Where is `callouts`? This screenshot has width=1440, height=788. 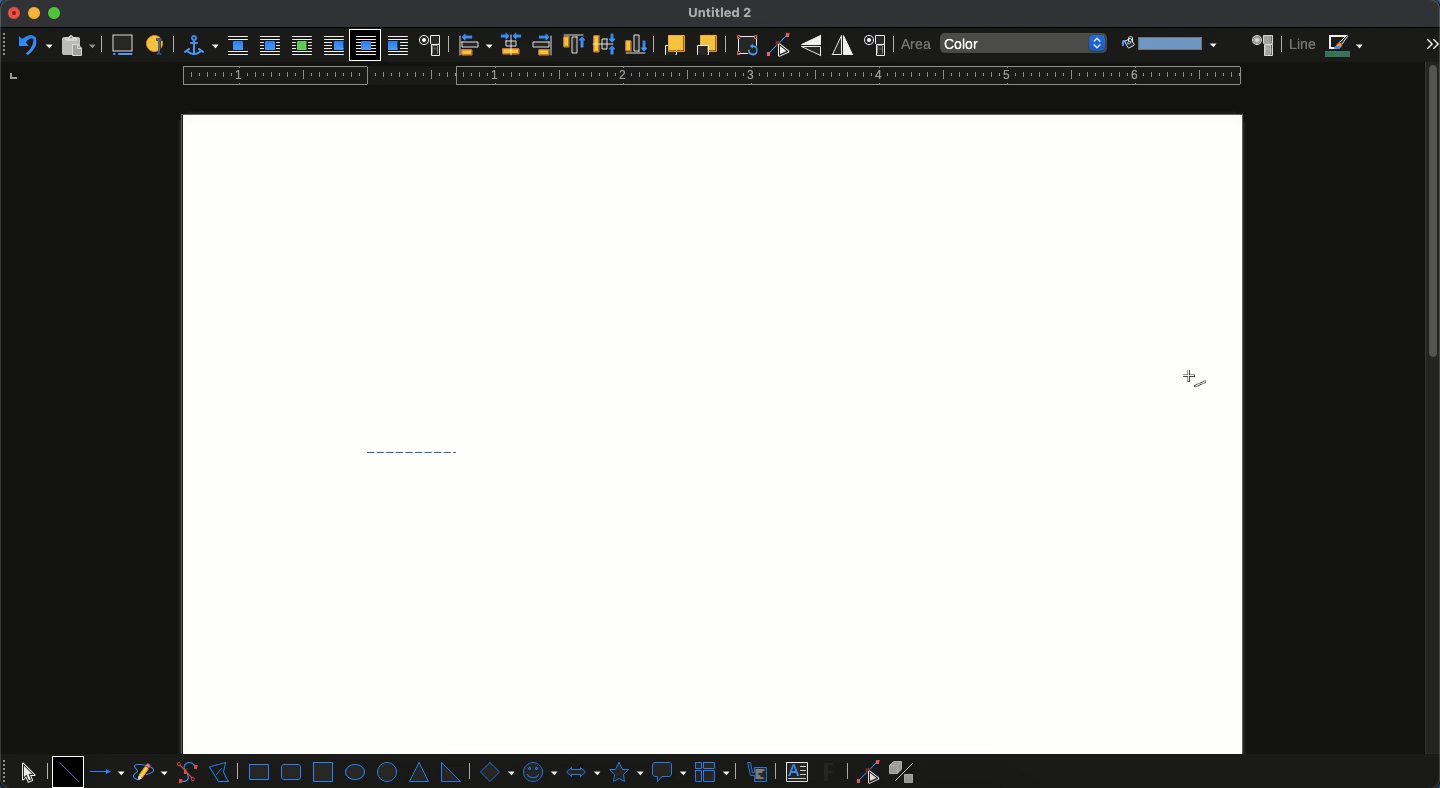
callouts is located at coordinates (759, 771).